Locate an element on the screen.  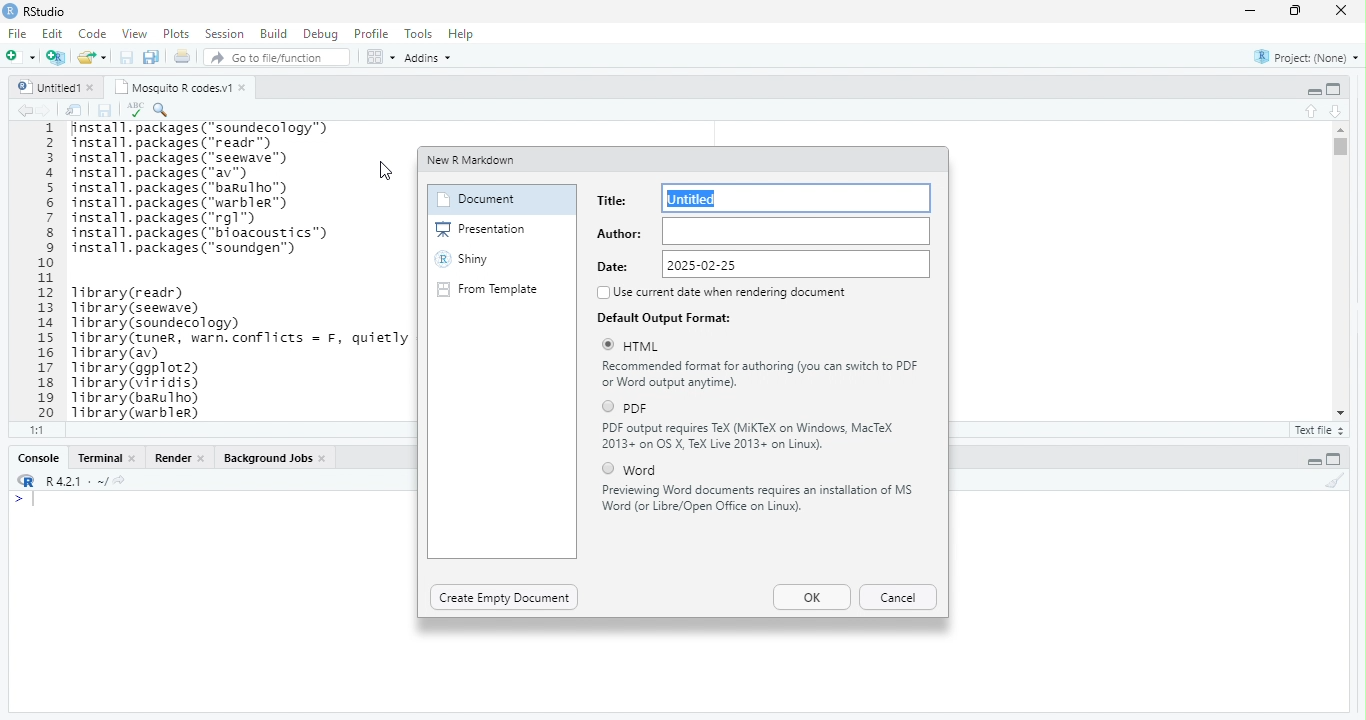
Checkbox is located at coordinates (610, 407).